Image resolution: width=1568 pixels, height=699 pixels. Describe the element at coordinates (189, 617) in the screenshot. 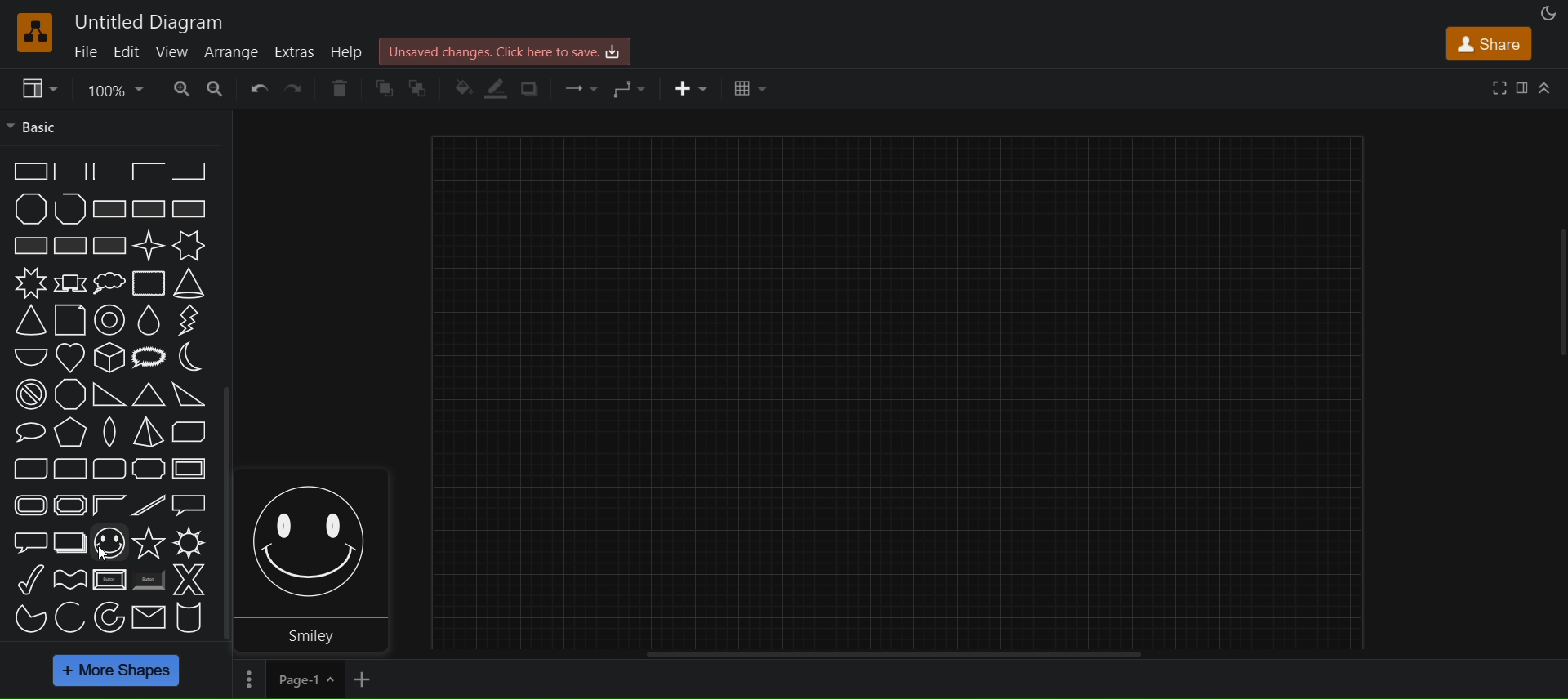

I see `cylinder stack` at that location.